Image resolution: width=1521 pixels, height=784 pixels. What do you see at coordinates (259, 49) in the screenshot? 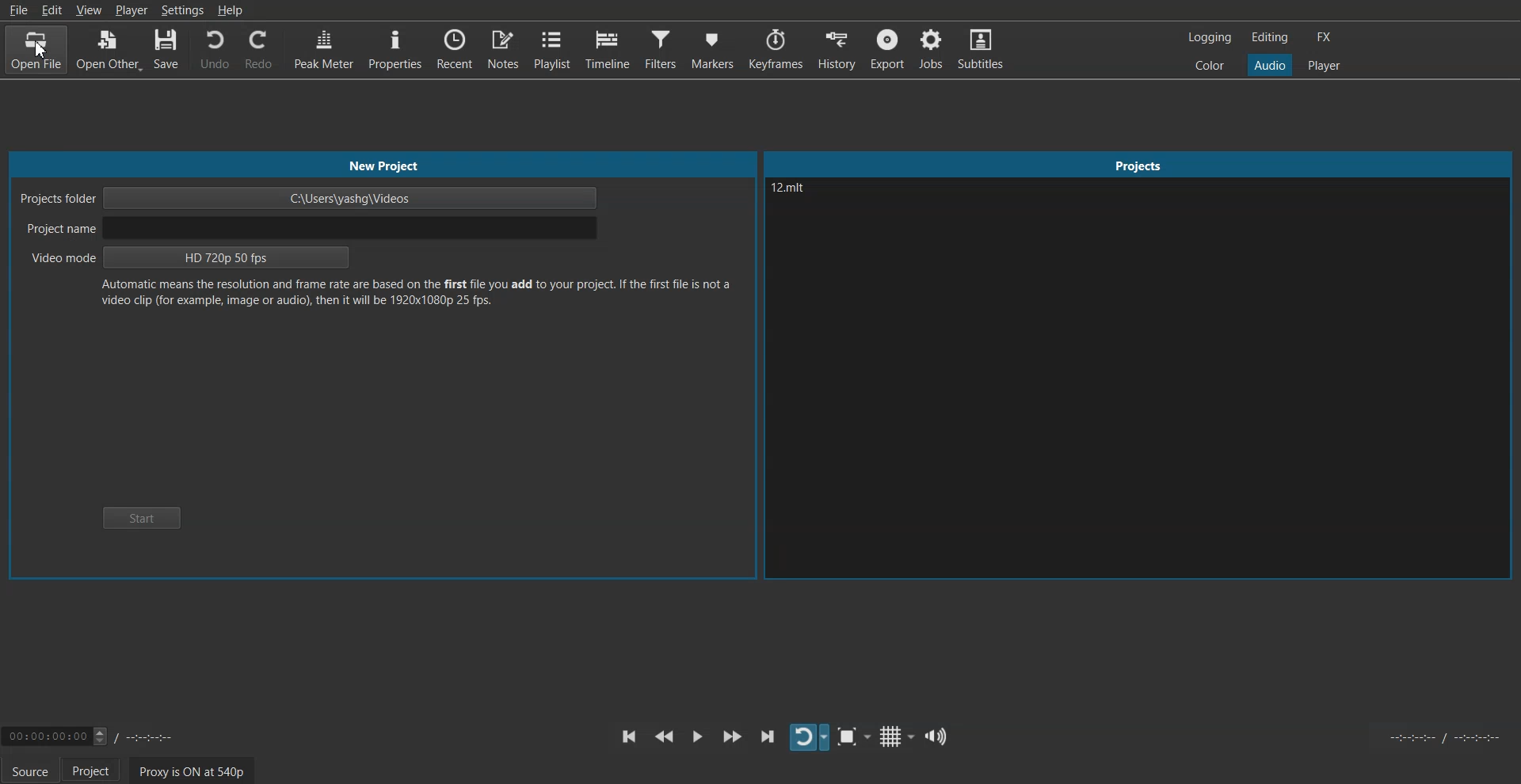
I see `Redo` at bounding box center [259, 49].